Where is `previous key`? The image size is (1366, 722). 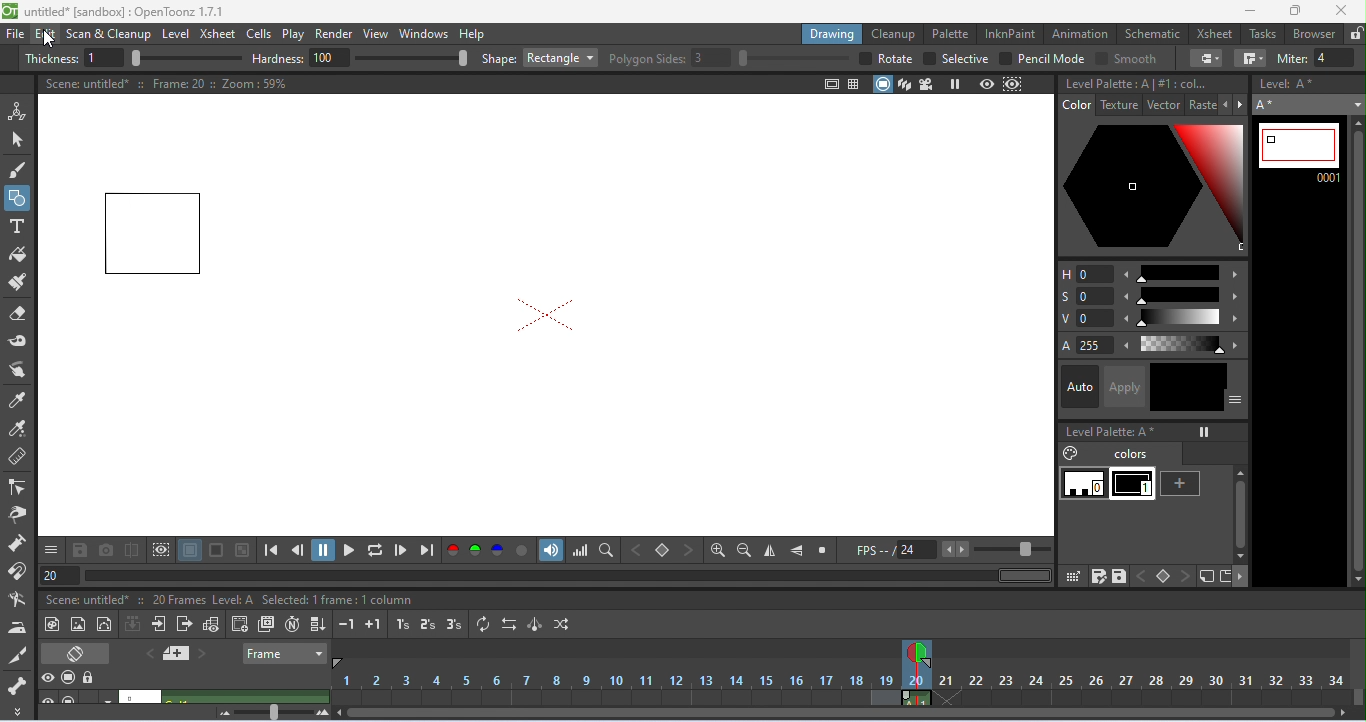 previous key is located at coordinates (634, 551).